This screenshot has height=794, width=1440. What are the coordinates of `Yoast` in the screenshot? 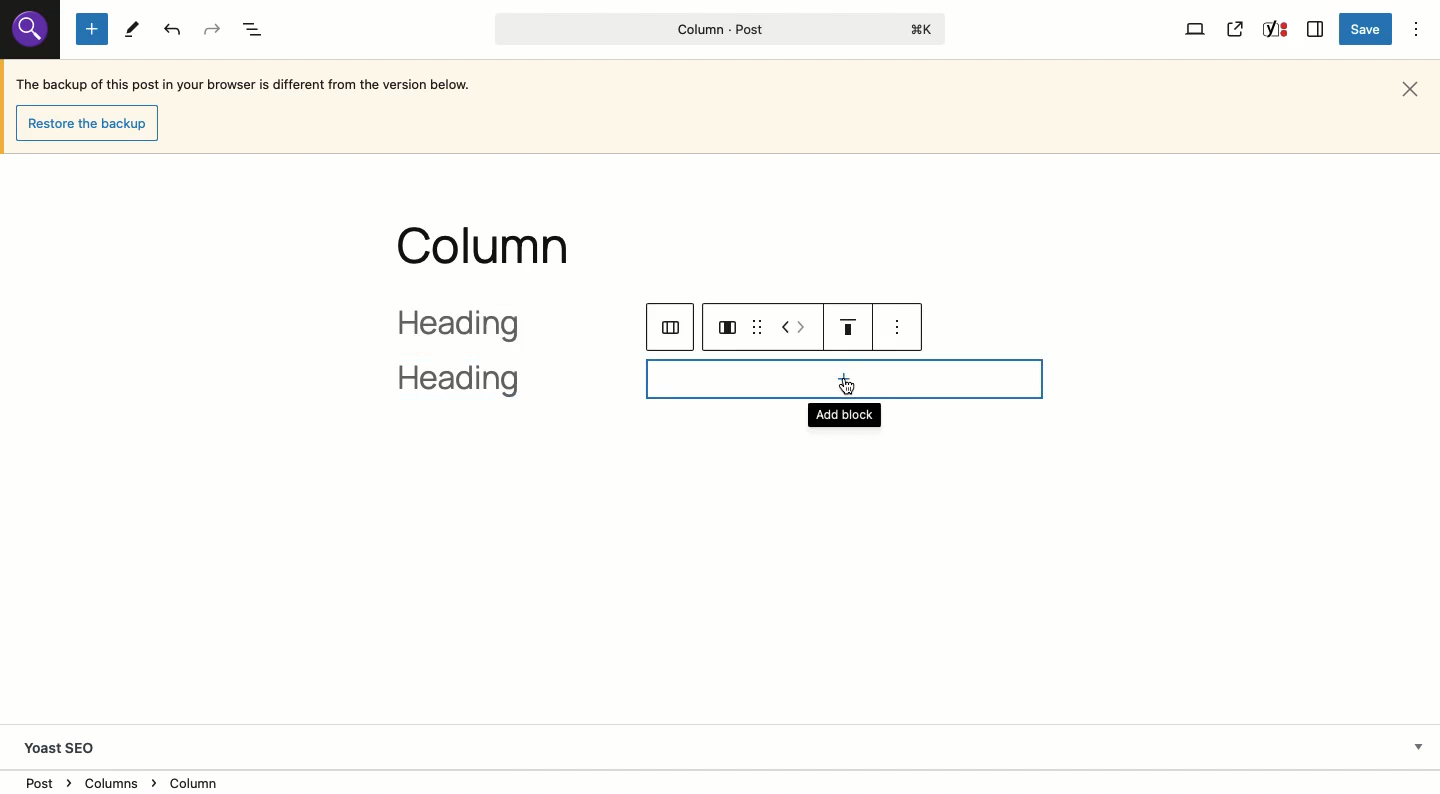 It's located at (1273, 31).